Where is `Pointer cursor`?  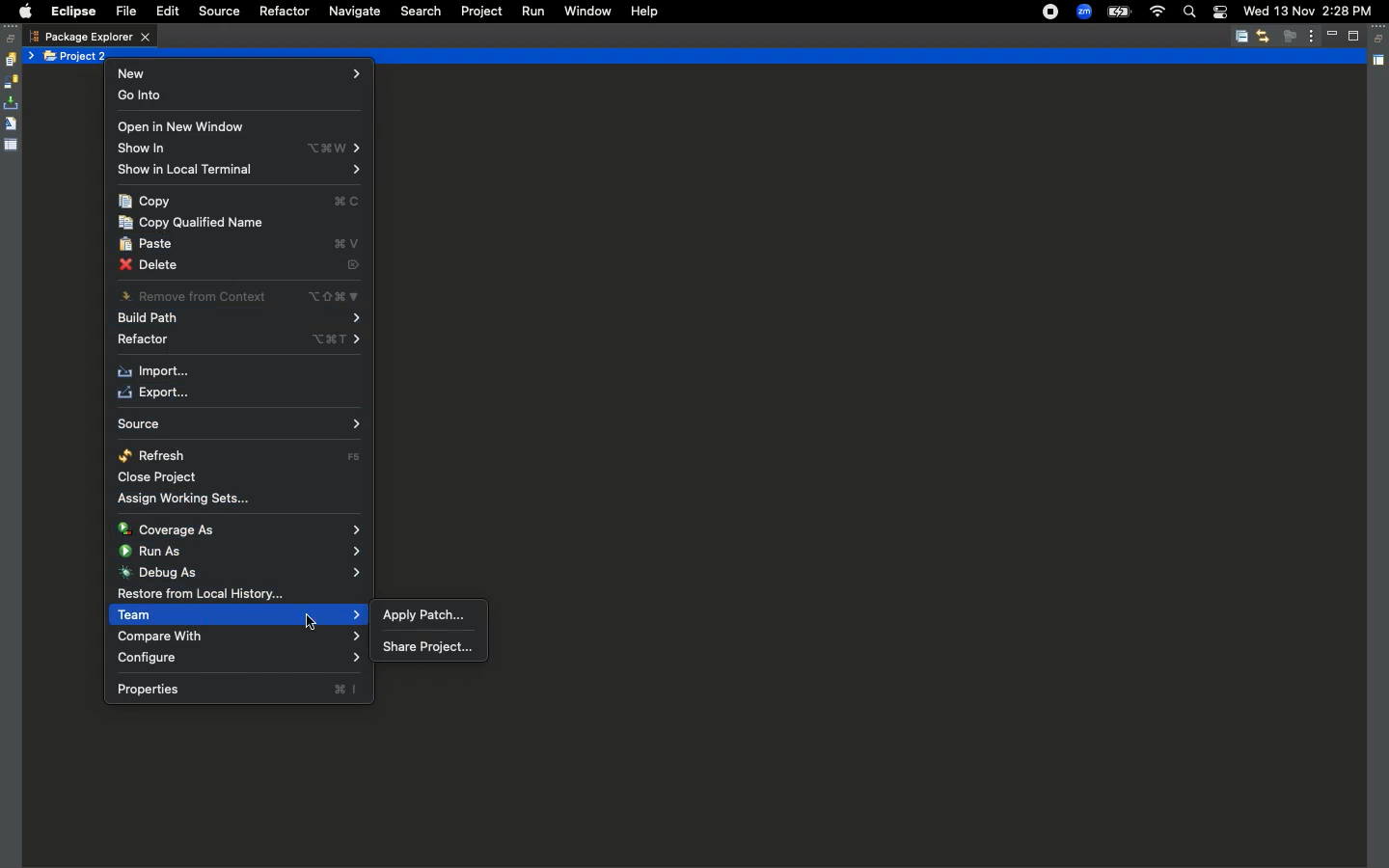 Pointer cursor is located at coordinates (311, 621).